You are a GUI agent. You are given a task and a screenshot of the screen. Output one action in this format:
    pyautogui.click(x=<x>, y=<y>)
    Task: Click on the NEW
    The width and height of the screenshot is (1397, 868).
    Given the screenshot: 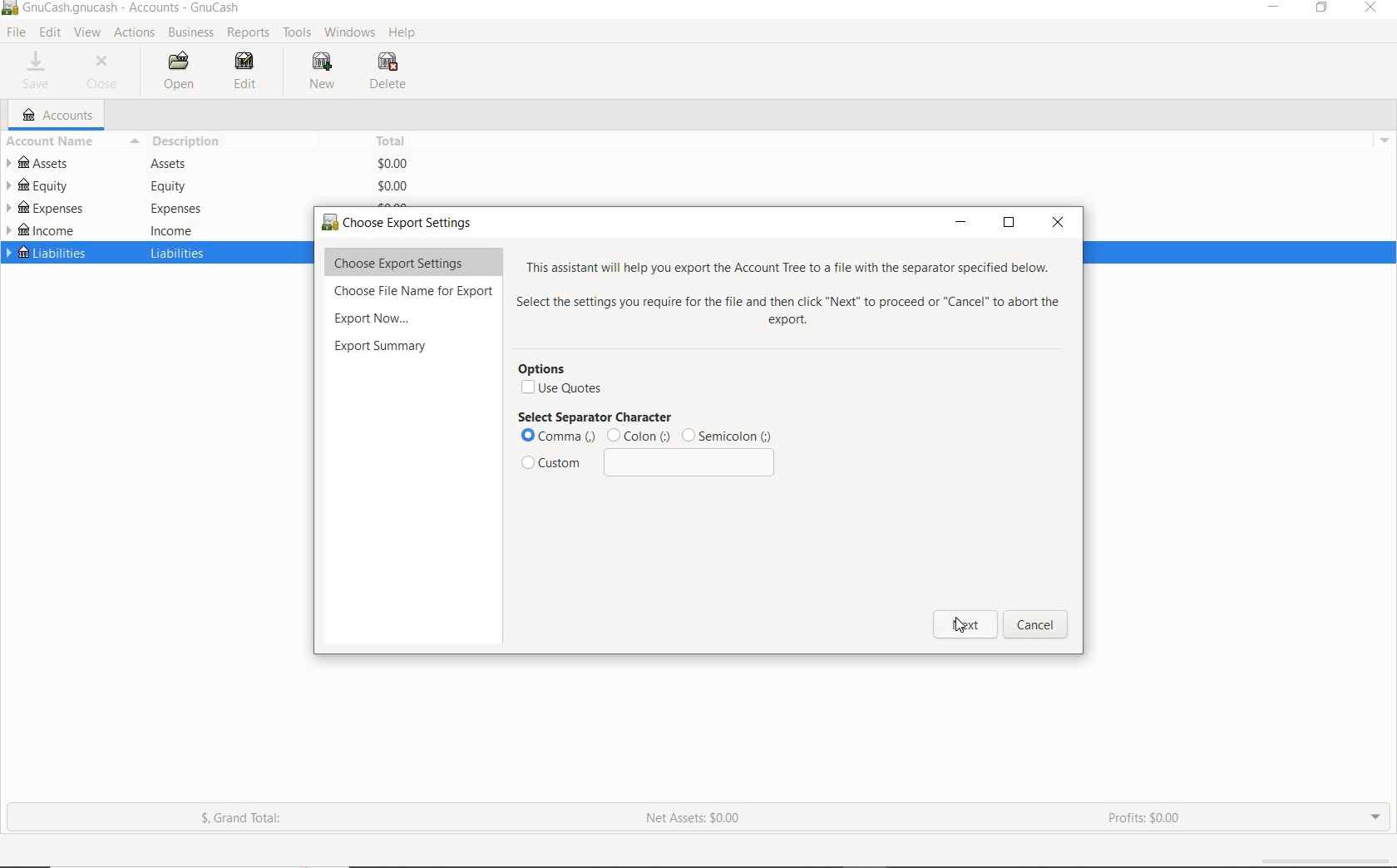 What is the action you would take?
    pyautogui.click(x=321, y=74)
    